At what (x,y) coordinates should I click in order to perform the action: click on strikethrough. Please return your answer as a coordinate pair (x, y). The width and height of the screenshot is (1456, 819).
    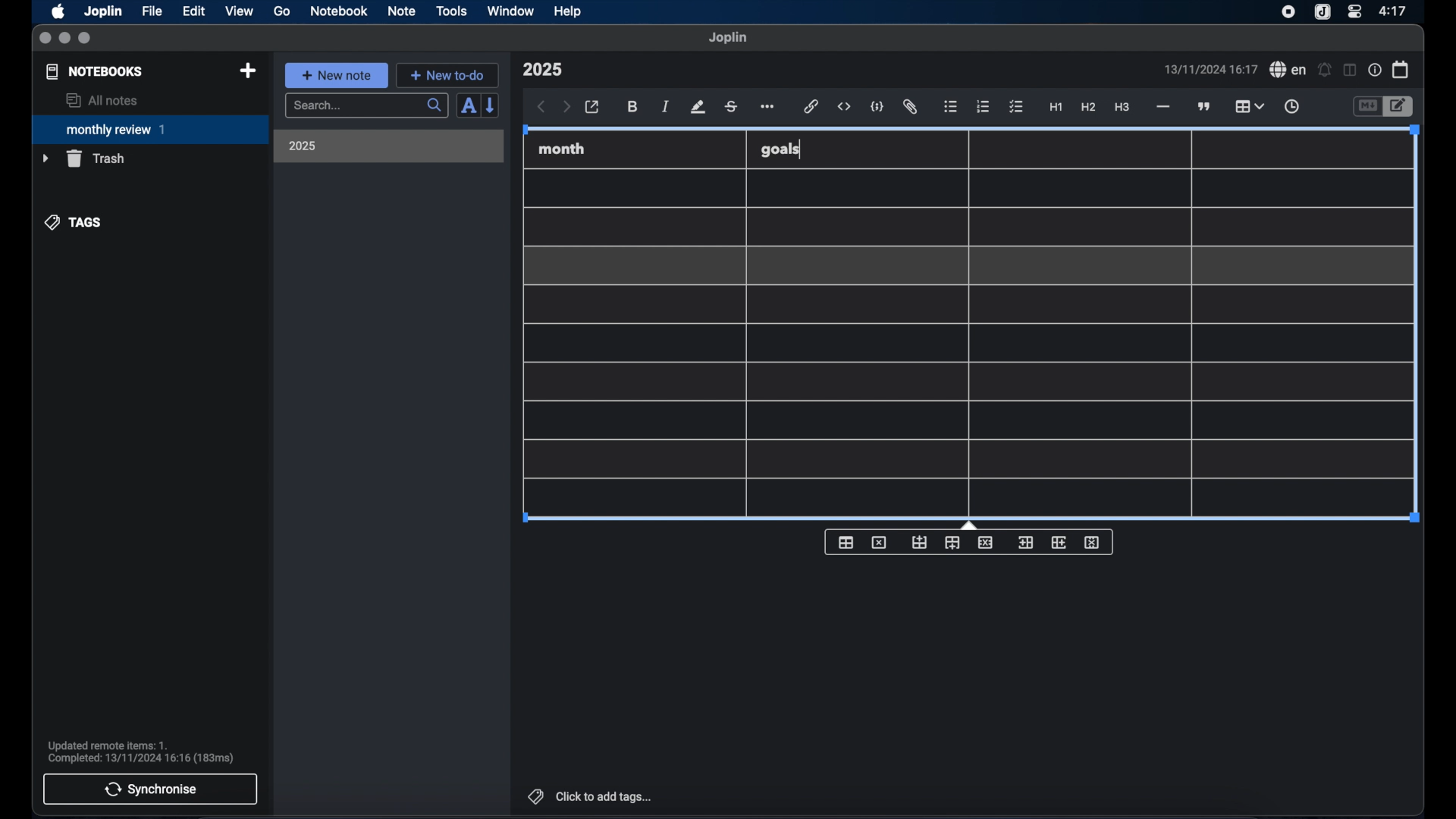
    Looking at the image, I should click on (730, 107).